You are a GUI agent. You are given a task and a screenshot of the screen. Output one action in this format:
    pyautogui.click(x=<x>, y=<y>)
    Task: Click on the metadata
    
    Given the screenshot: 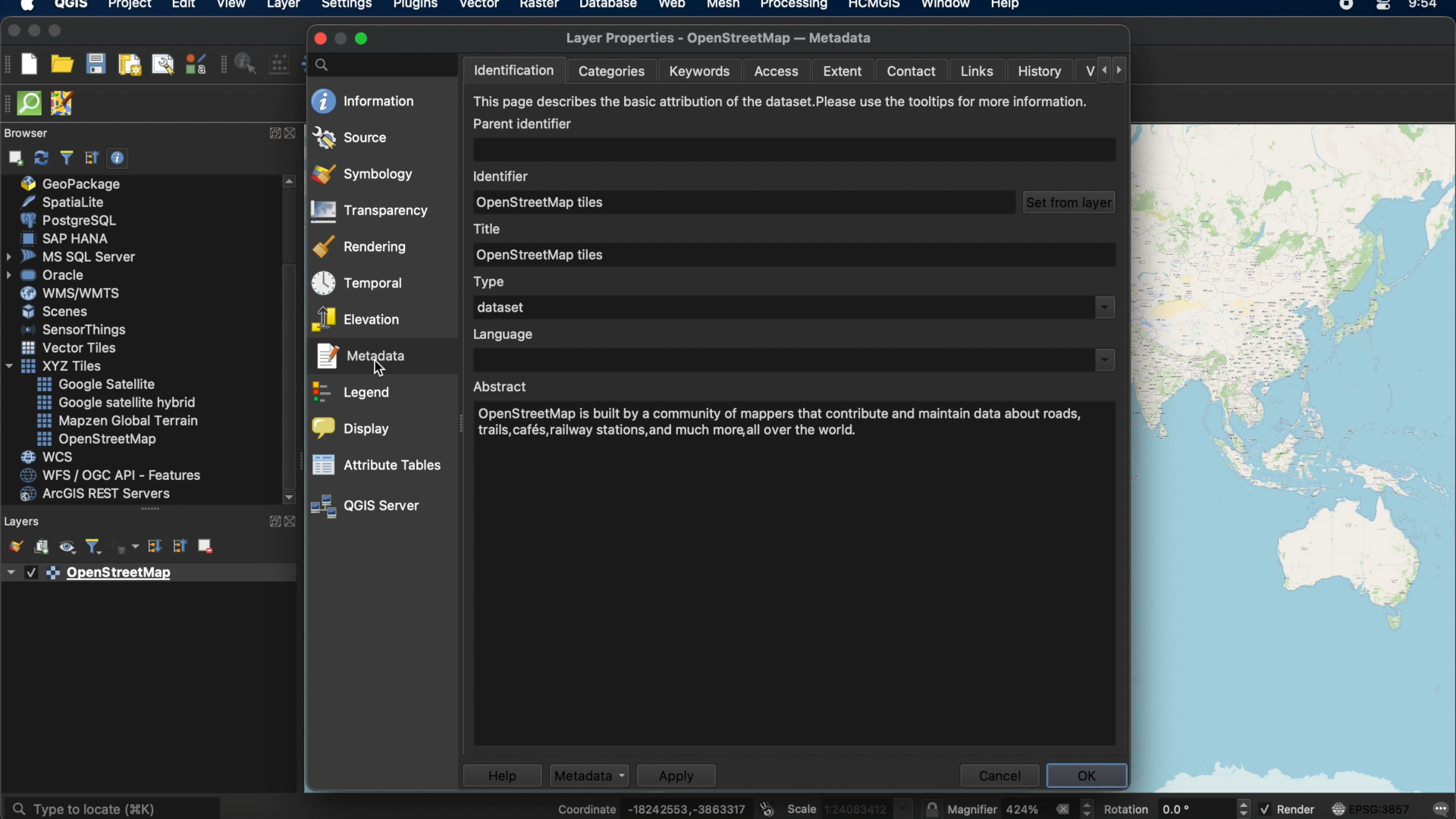 What is the action you would take?
    pyautogui.click(x=360, y=356)
    